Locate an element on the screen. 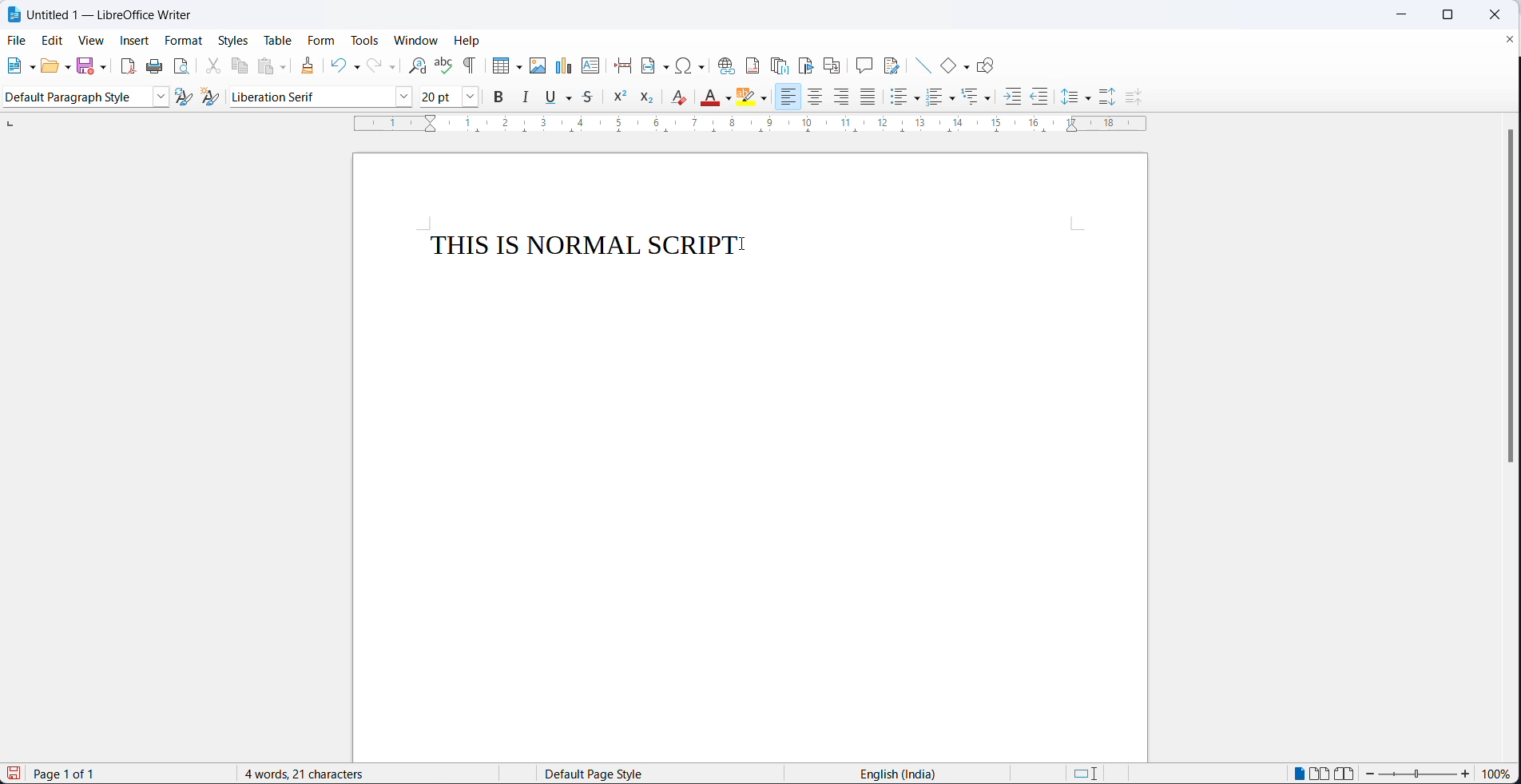  print preview is located at coordinates (183, 66).